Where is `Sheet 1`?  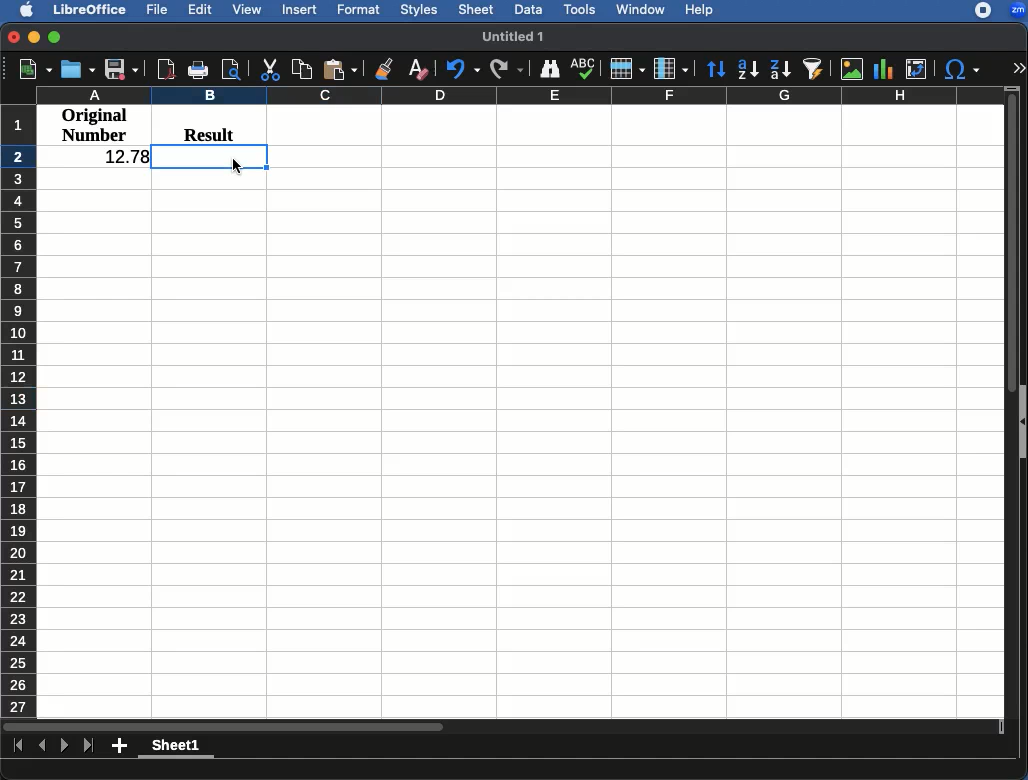 Sheet 1 is located at coordinates (177, 747).